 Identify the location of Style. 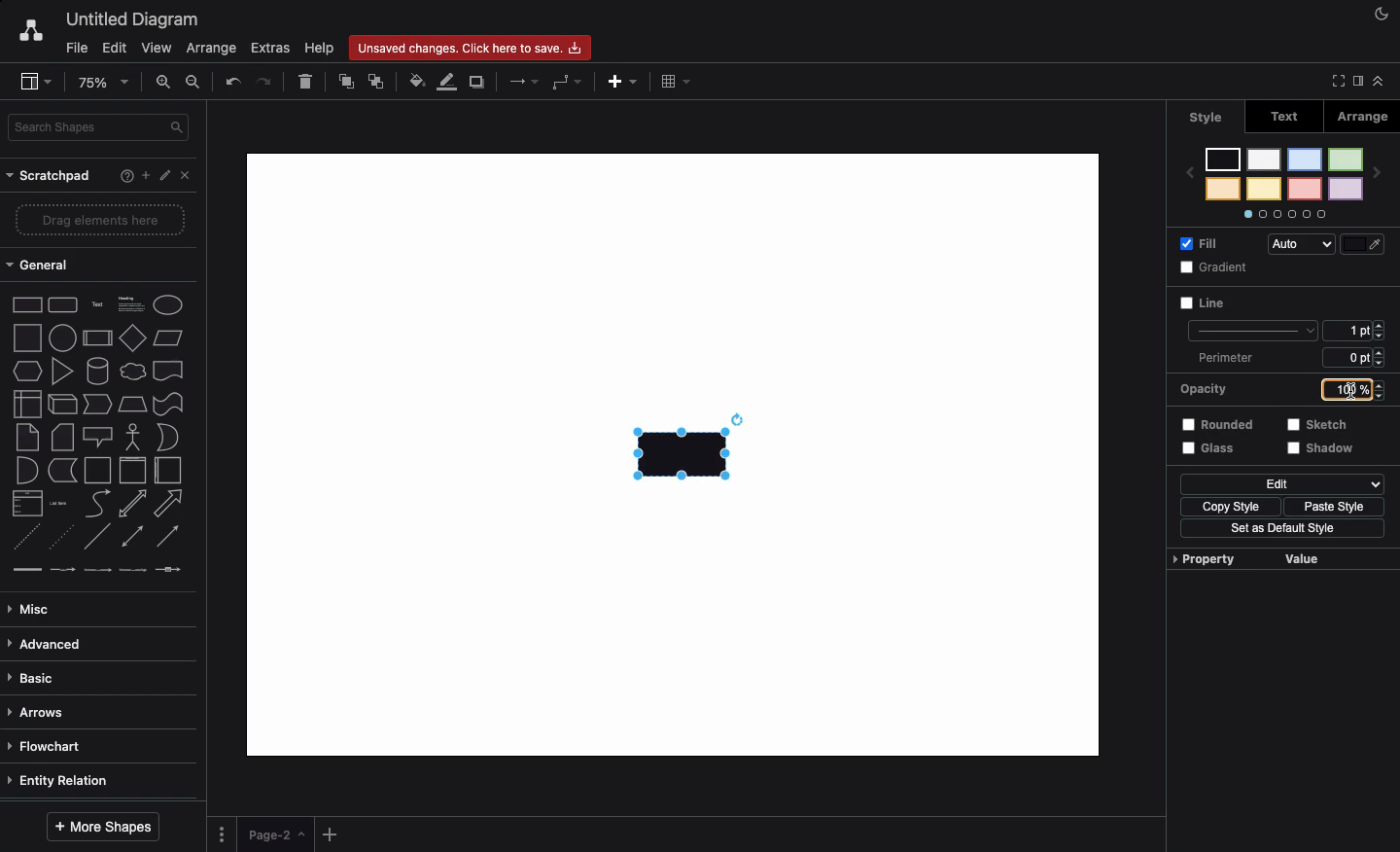
(1201, 119).